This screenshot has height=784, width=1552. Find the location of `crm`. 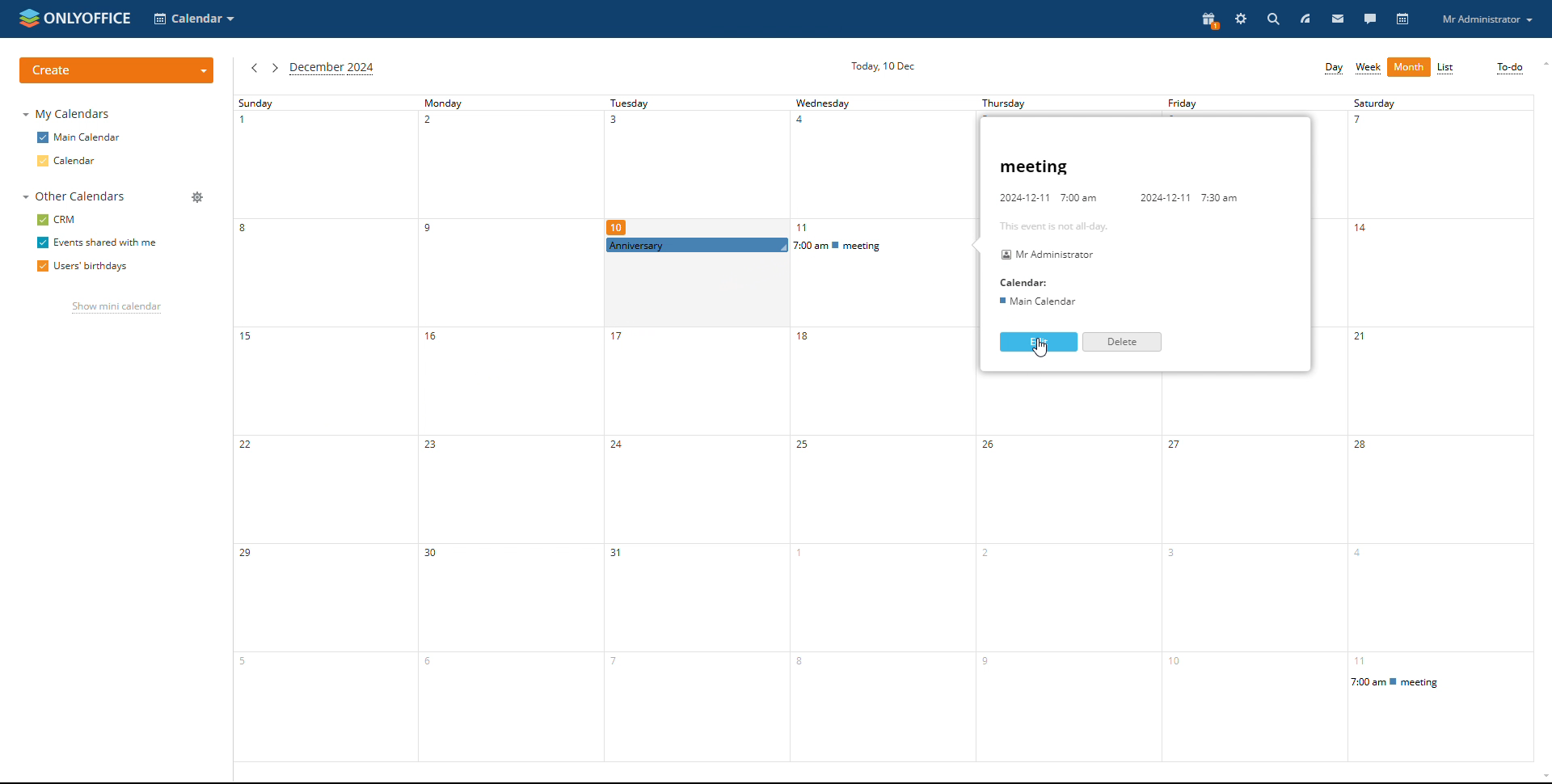

crm is located at coordinates (57, 220).